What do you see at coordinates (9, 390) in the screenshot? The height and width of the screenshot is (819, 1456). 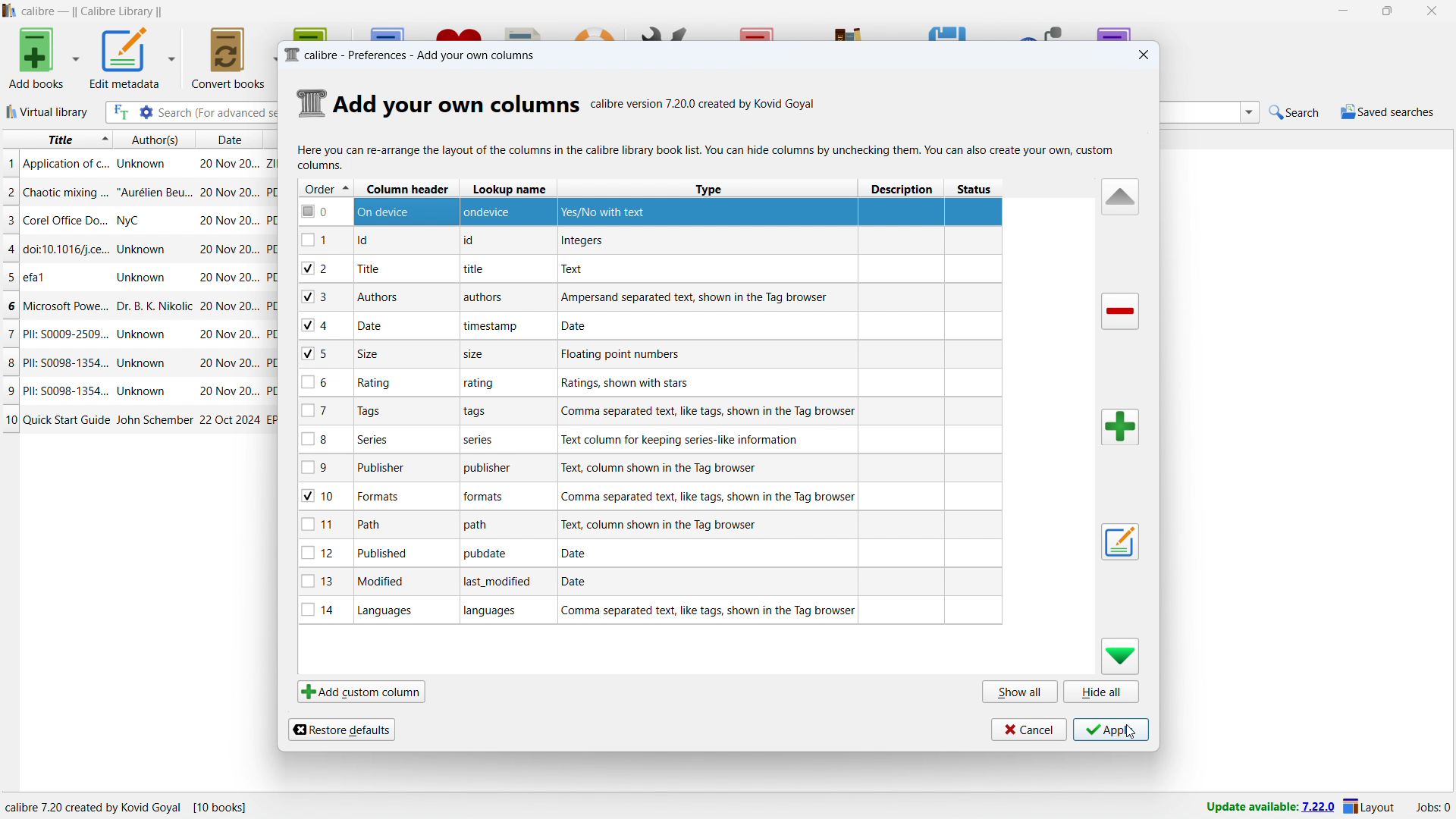 I see `9` at bounding box center [9, 390].